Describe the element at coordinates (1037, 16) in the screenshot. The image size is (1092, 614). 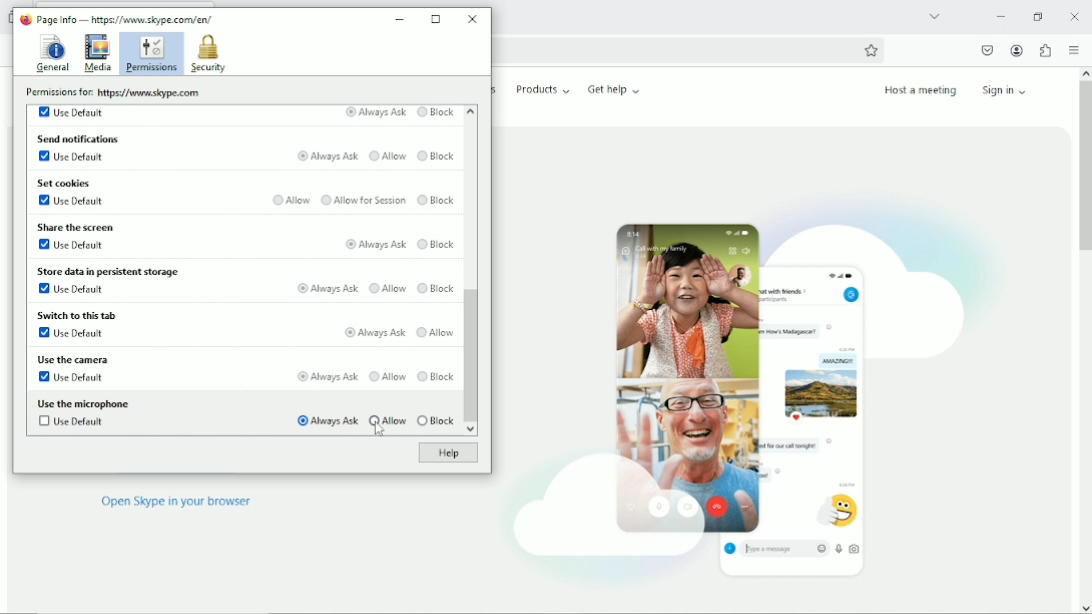
I see `Restore down` at that location.